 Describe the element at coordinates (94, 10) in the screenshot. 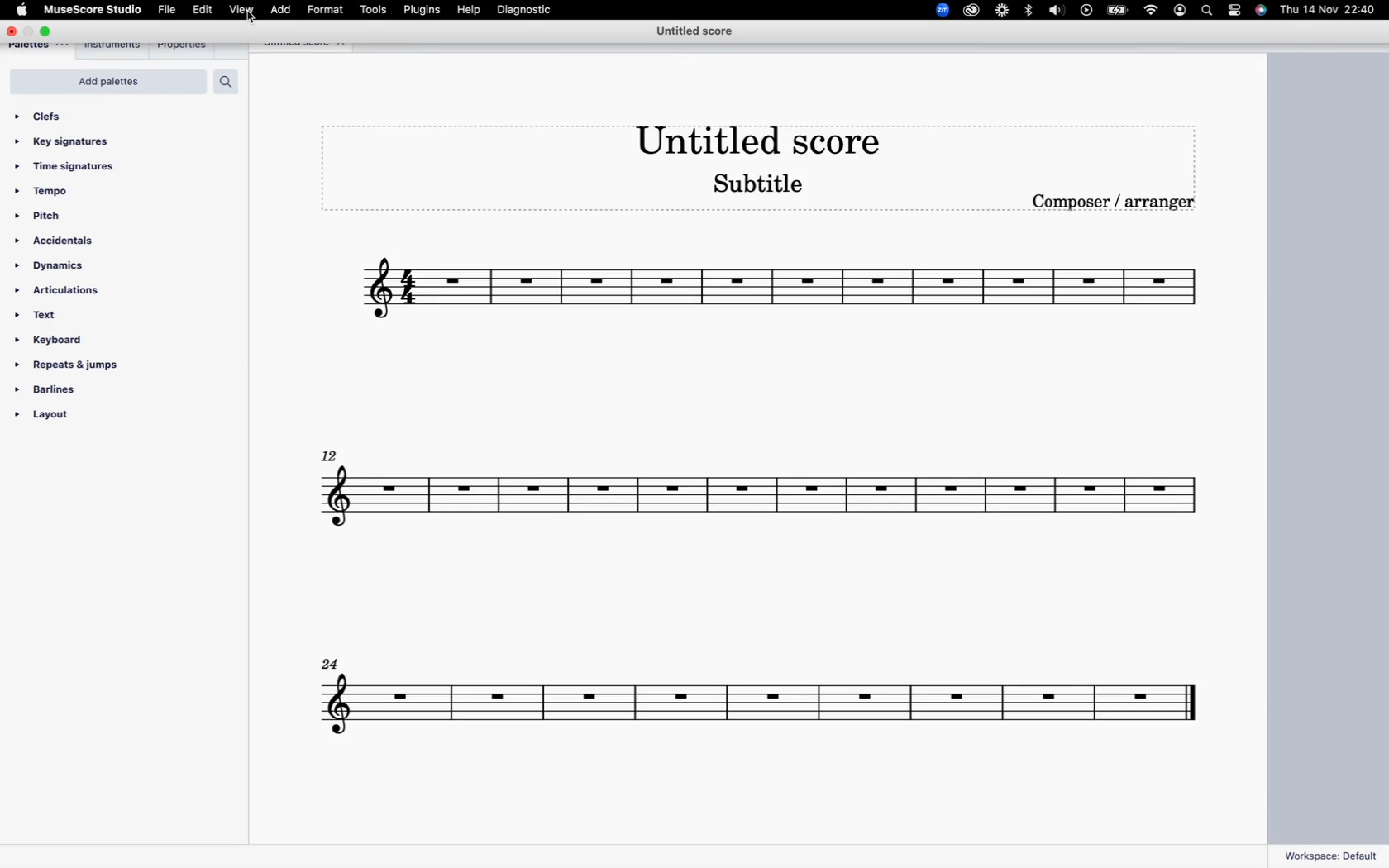

I see `musescore studio` at that location.